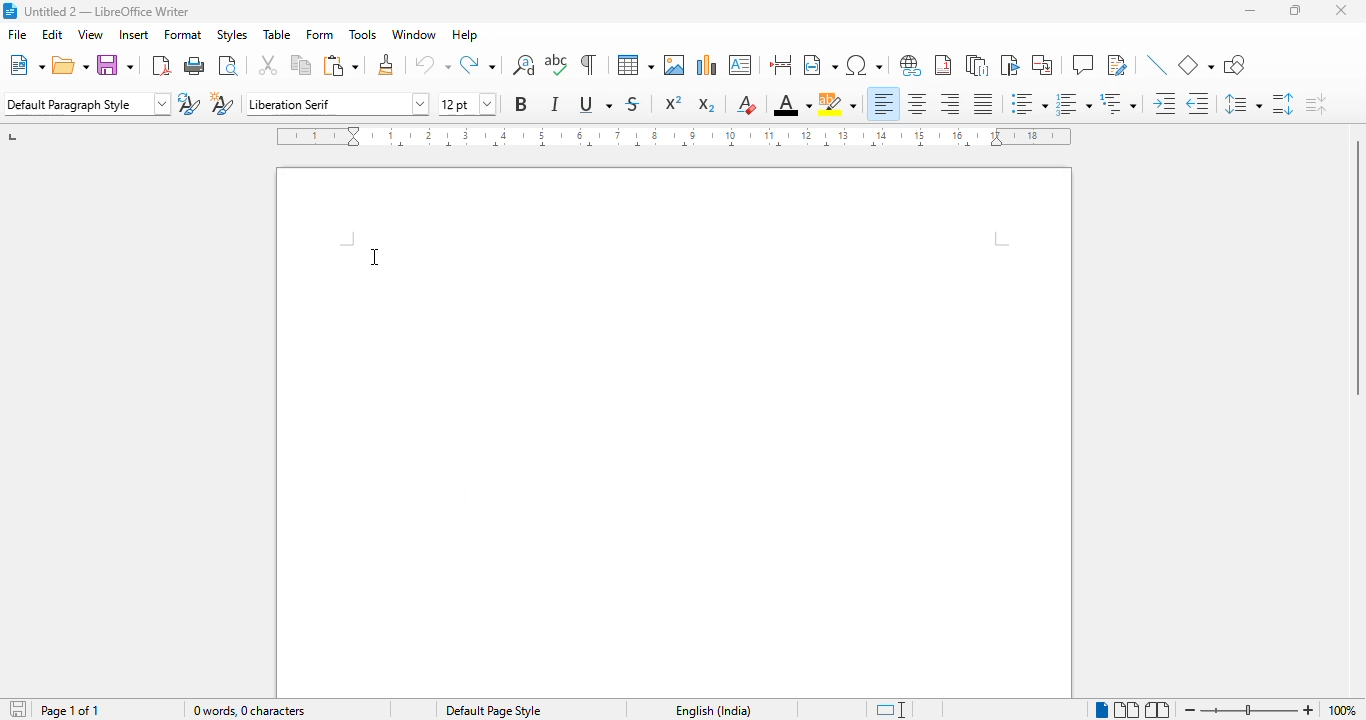  What do you see at coordinates (588, 64) in the screenshot?
I see `toggle formatting marks` at bounding box center [588, 64].